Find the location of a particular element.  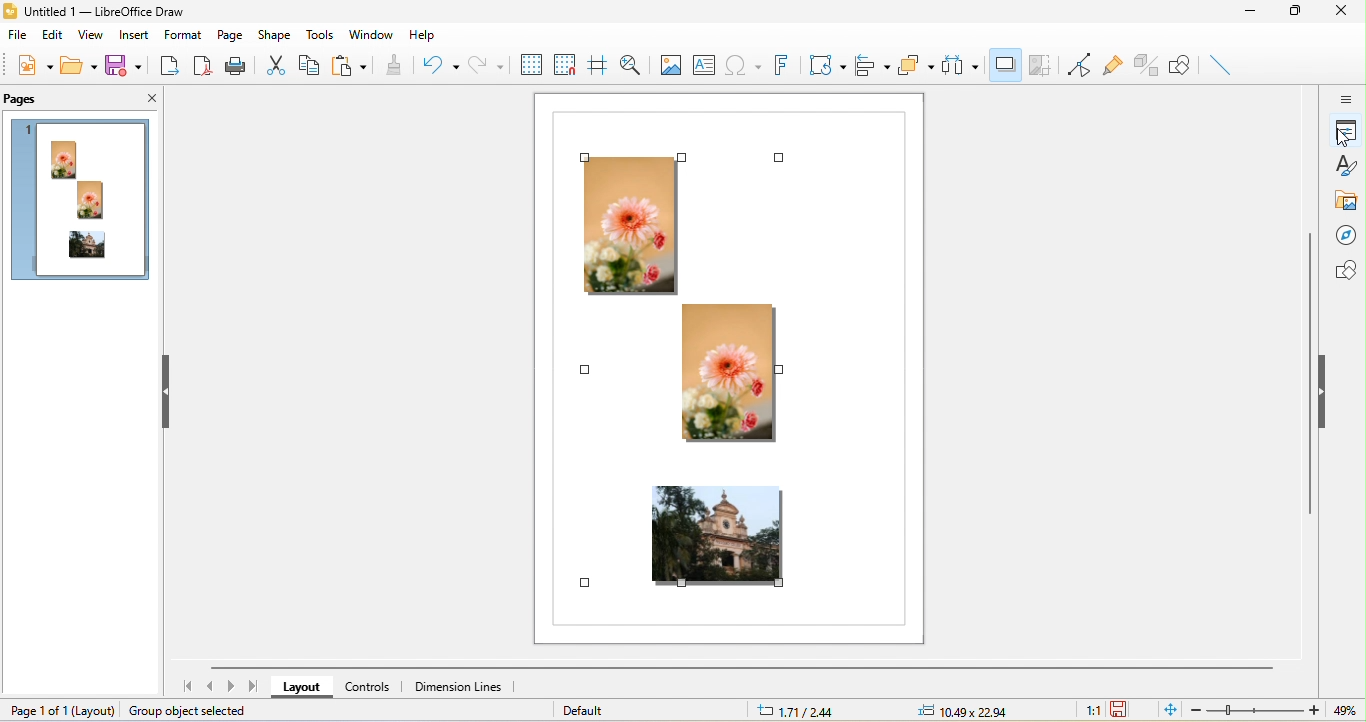

page is located at coordinates (228, 35).